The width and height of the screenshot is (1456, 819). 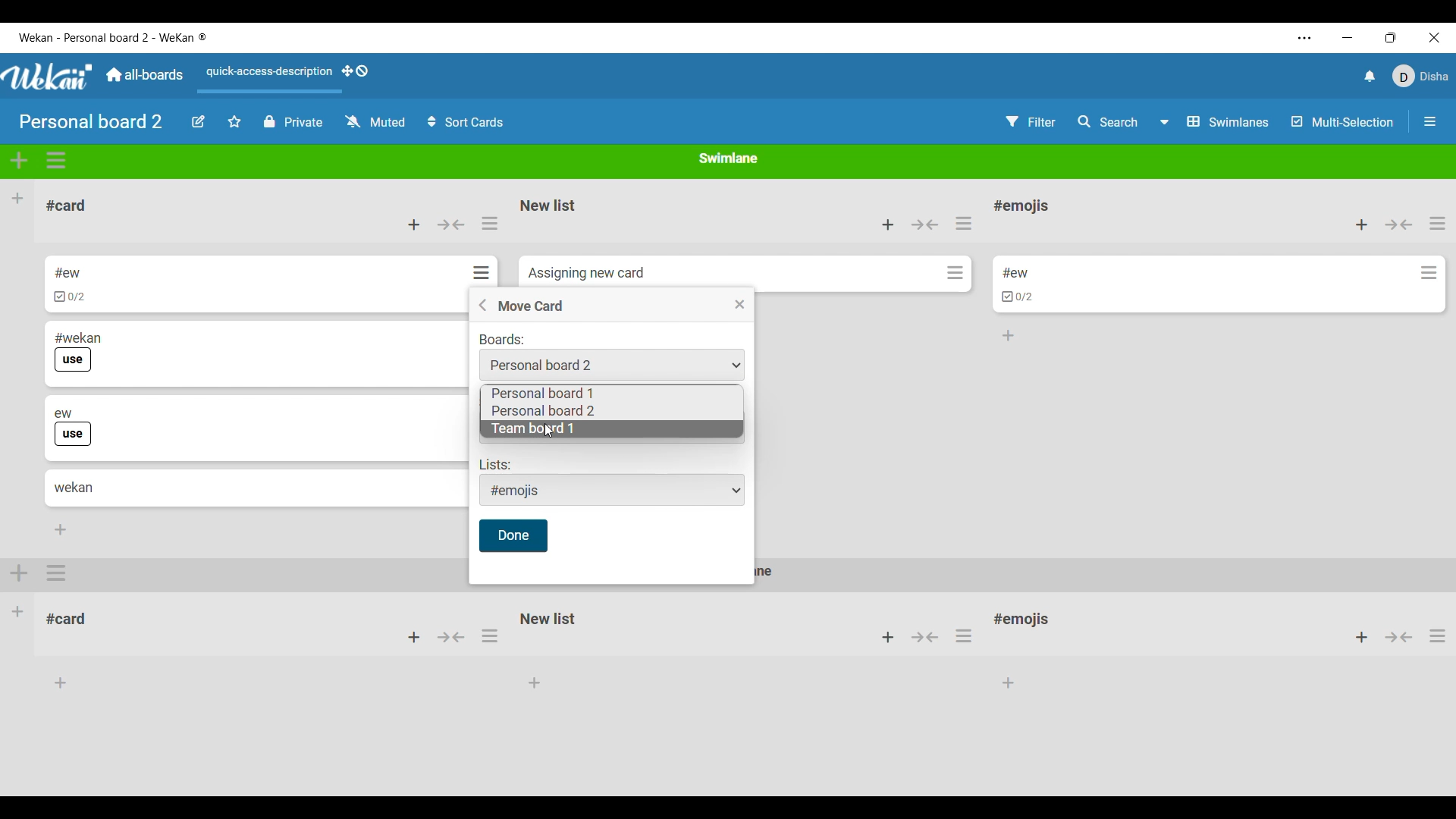 What do you see at coordinates (1018, 297) in the screenshot?
I see `Indicates card has cheklist` at bounding box center [1018, 297].